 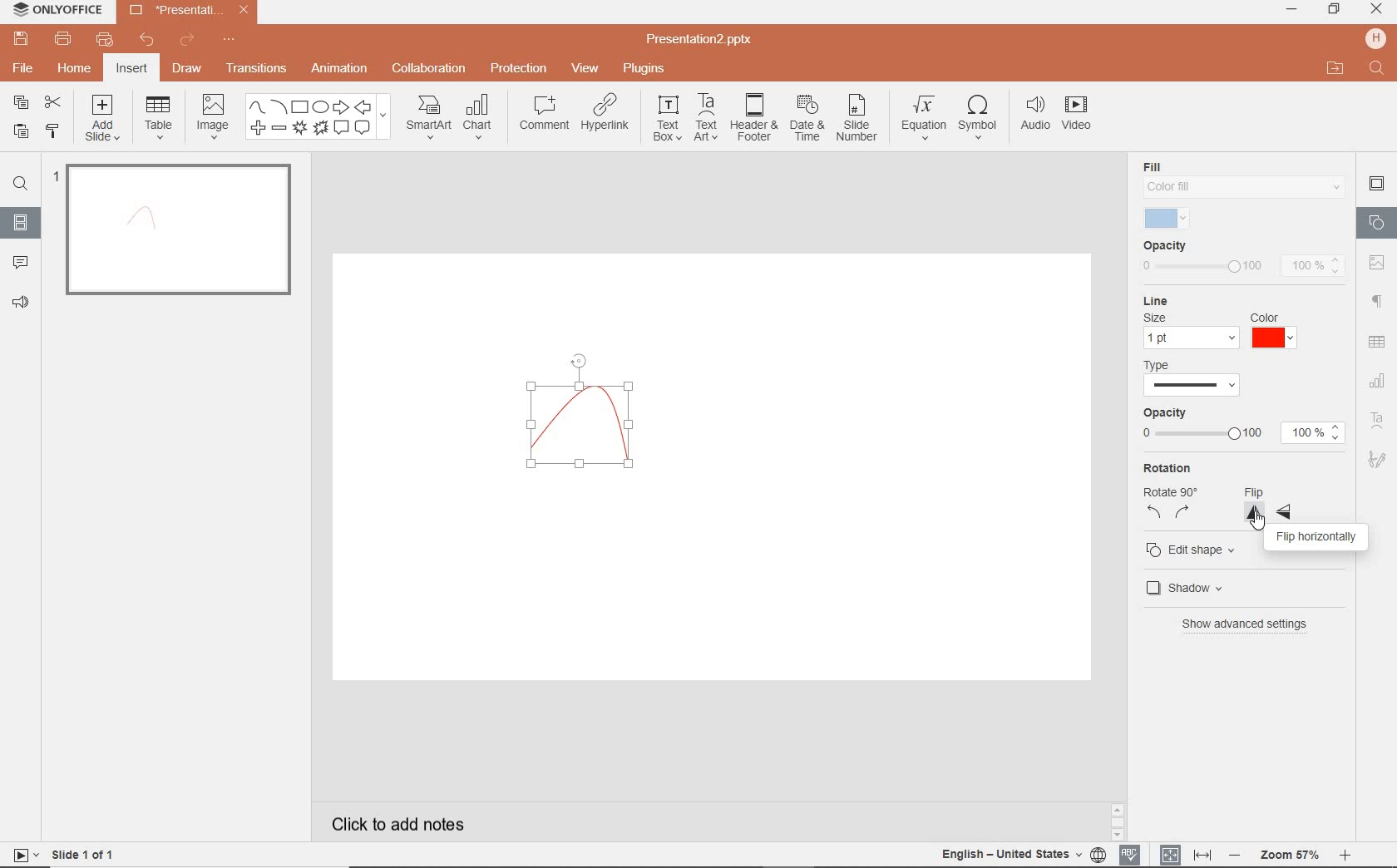 I want to click on TEXT BOX, so click(x=665, y=121).